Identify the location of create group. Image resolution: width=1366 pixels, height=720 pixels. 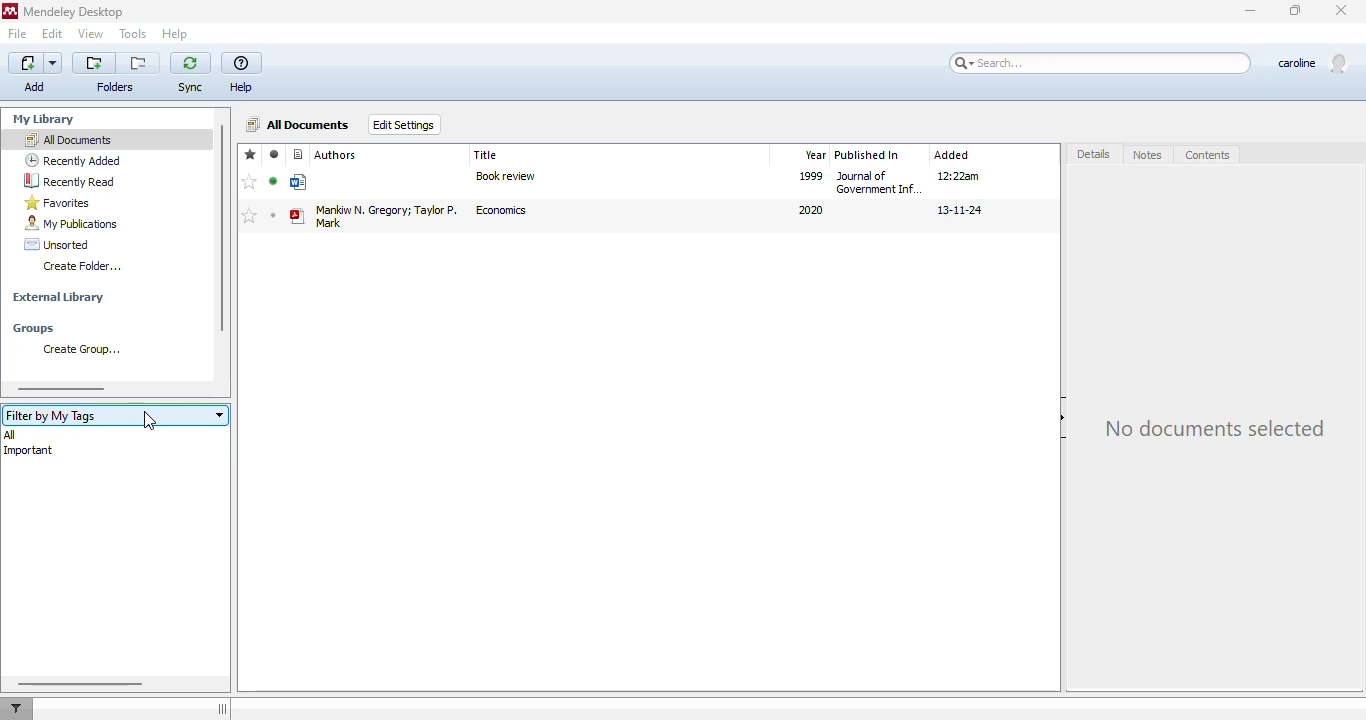
(77, 349).